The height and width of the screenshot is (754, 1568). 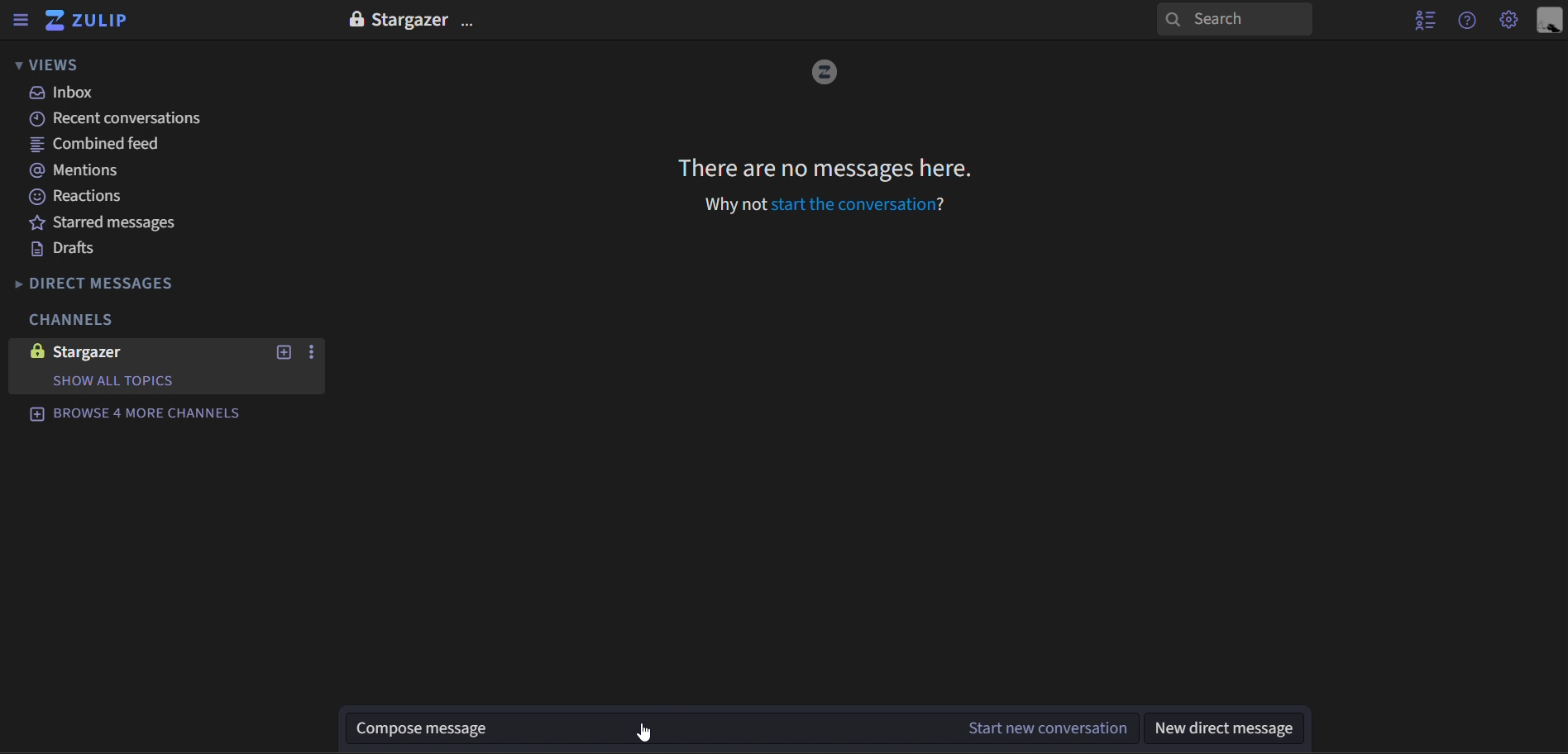 I want to click on Why not, so click(x=726, y=206).